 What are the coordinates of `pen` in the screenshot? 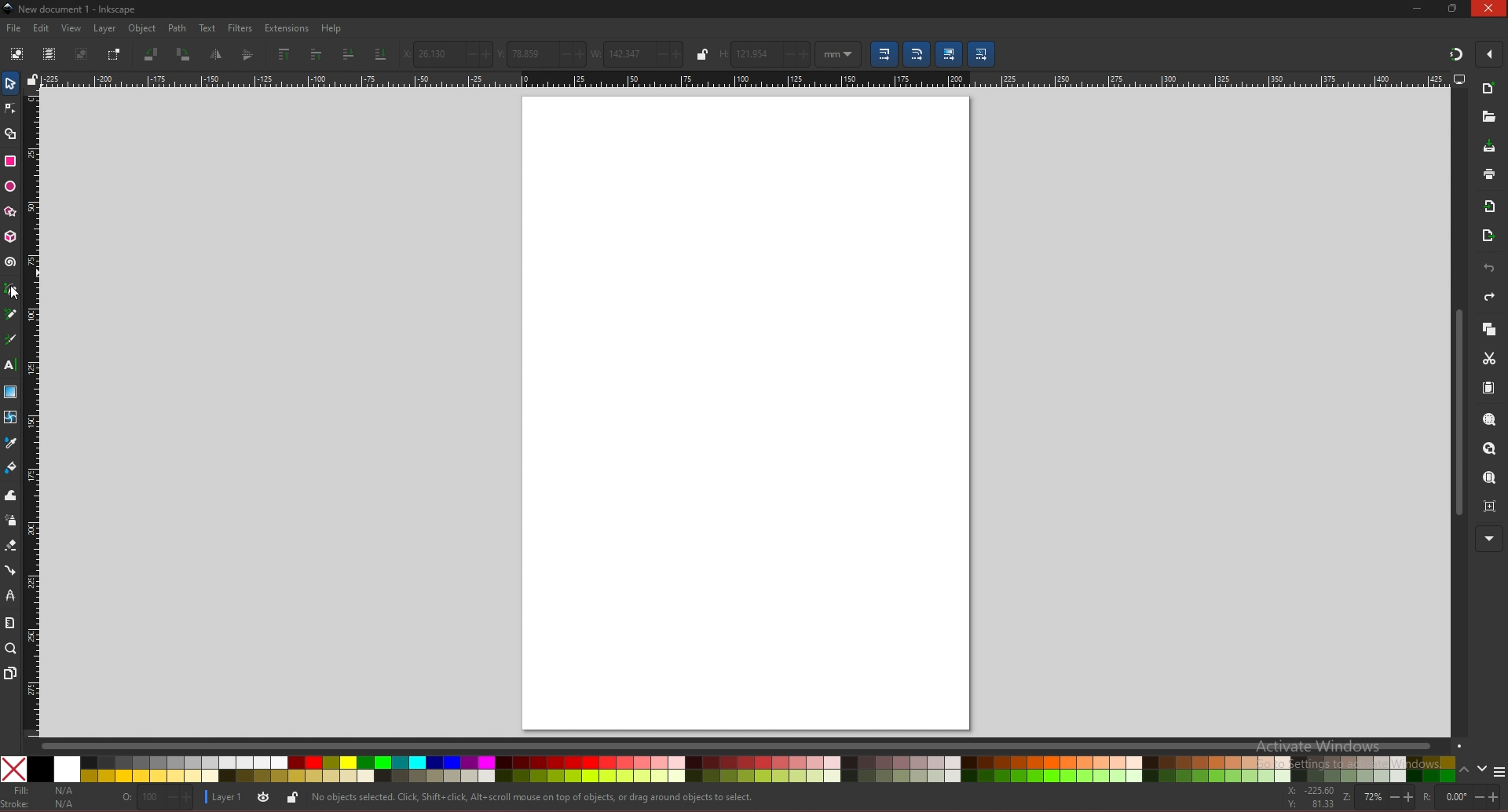 It's located at (13, 290).